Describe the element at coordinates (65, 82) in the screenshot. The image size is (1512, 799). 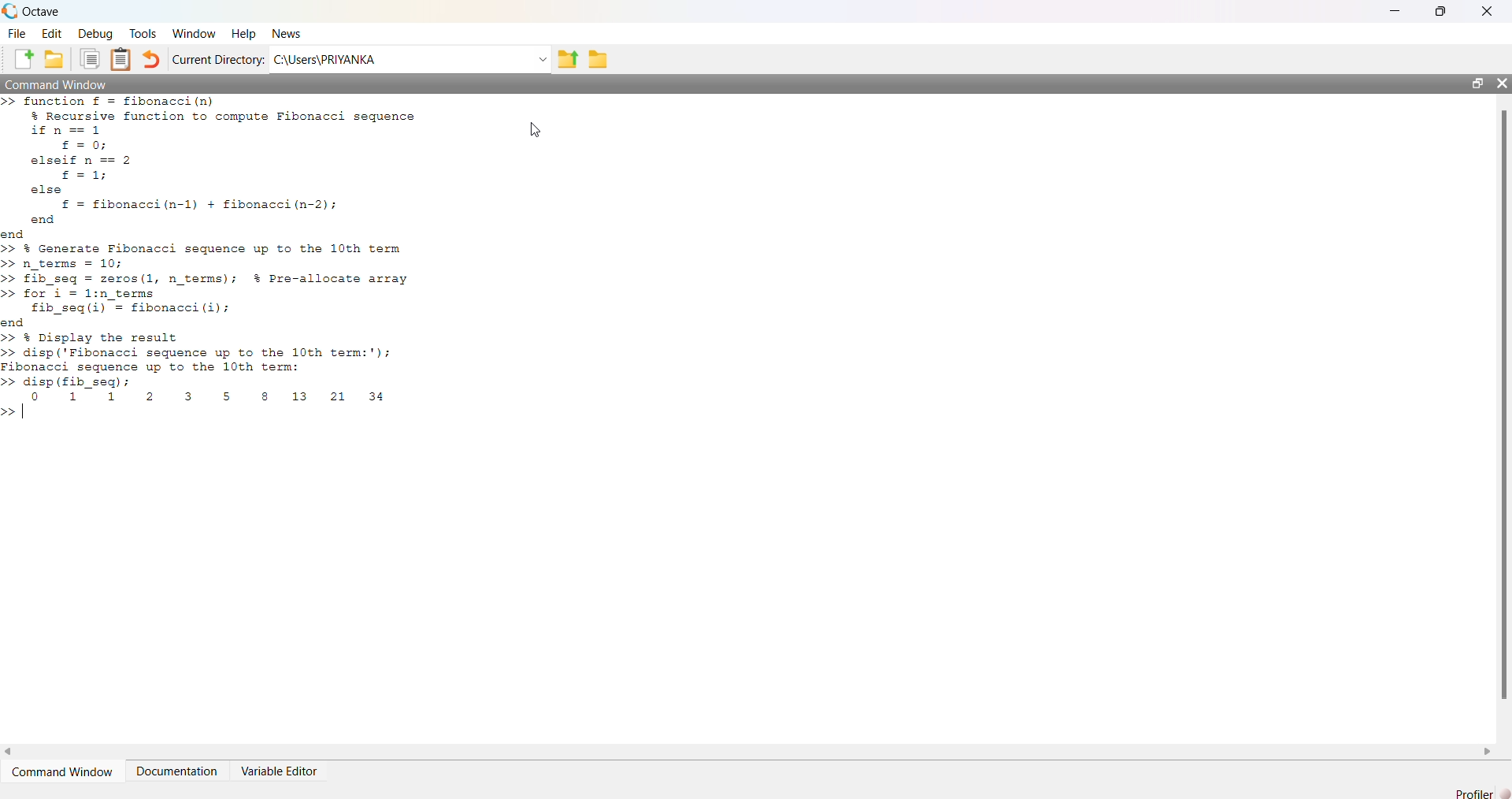
I see `| Command Window` at that location.